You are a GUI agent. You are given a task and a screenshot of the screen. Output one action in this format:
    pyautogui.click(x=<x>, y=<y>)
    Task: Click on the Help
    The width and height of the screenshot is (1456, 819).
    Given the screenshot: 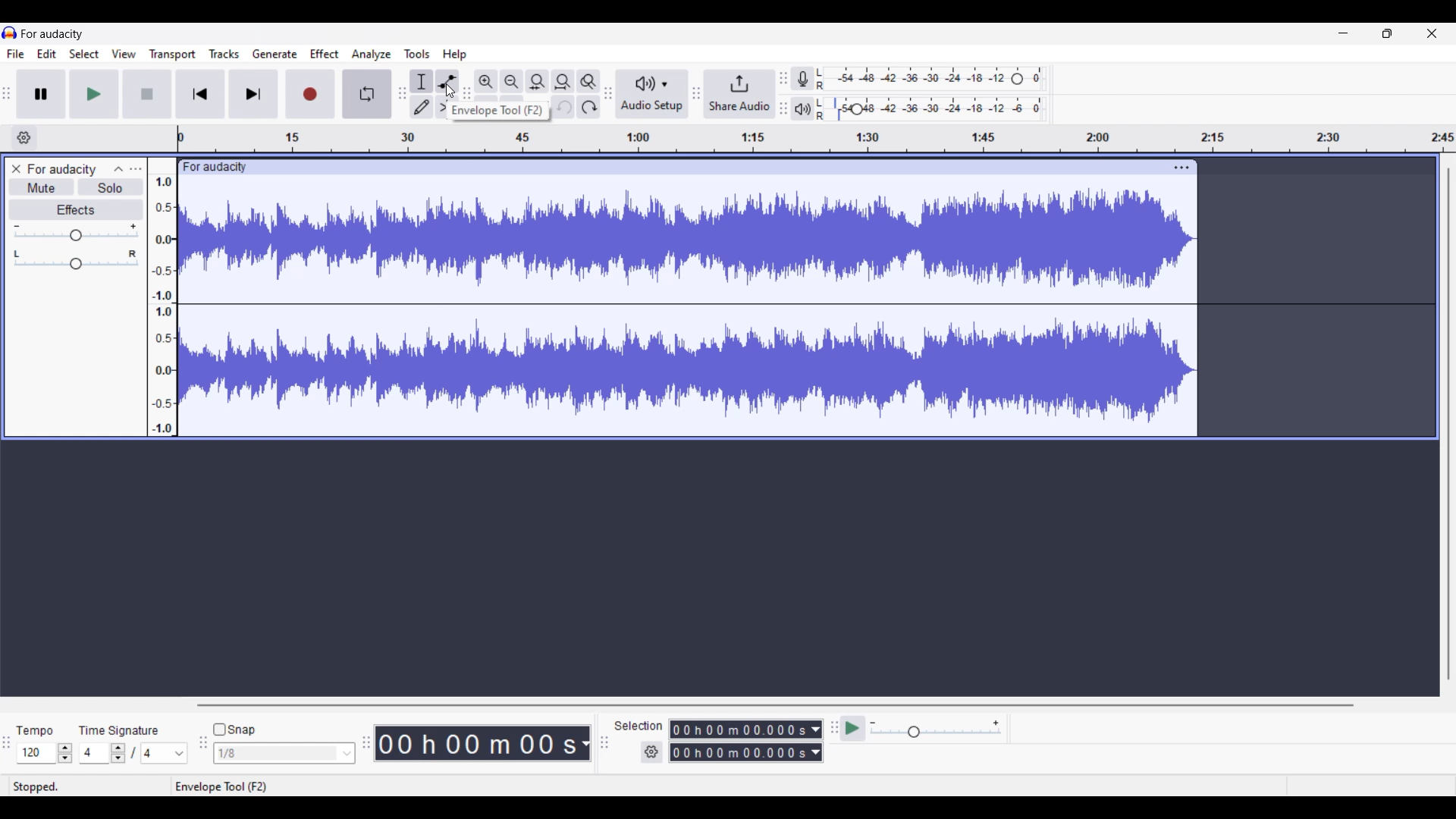 What is the action you would take?
    pyautogui.click(x=454, y=55)
    